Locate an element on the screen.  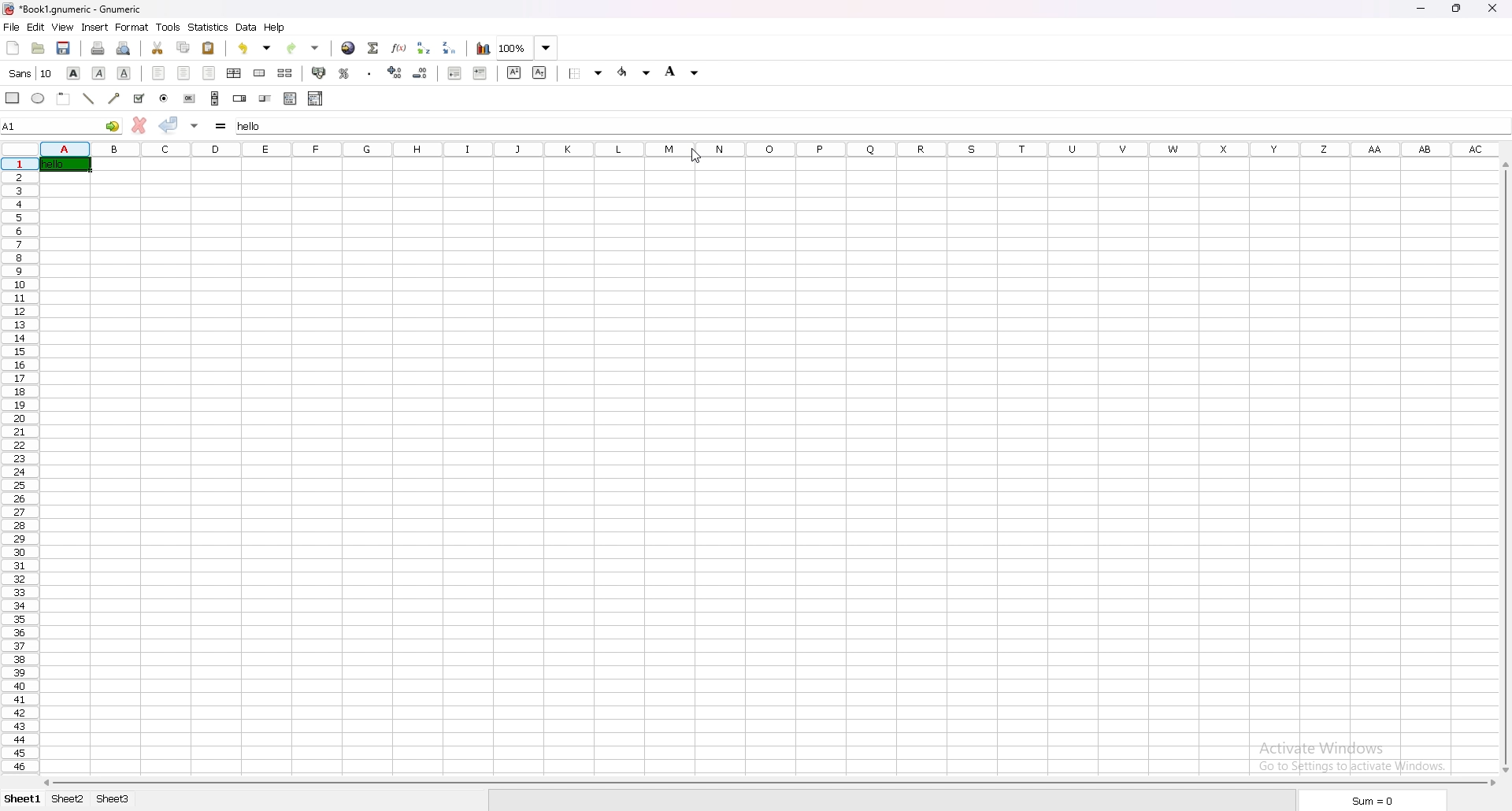
file is located at coordinates (12, 26).